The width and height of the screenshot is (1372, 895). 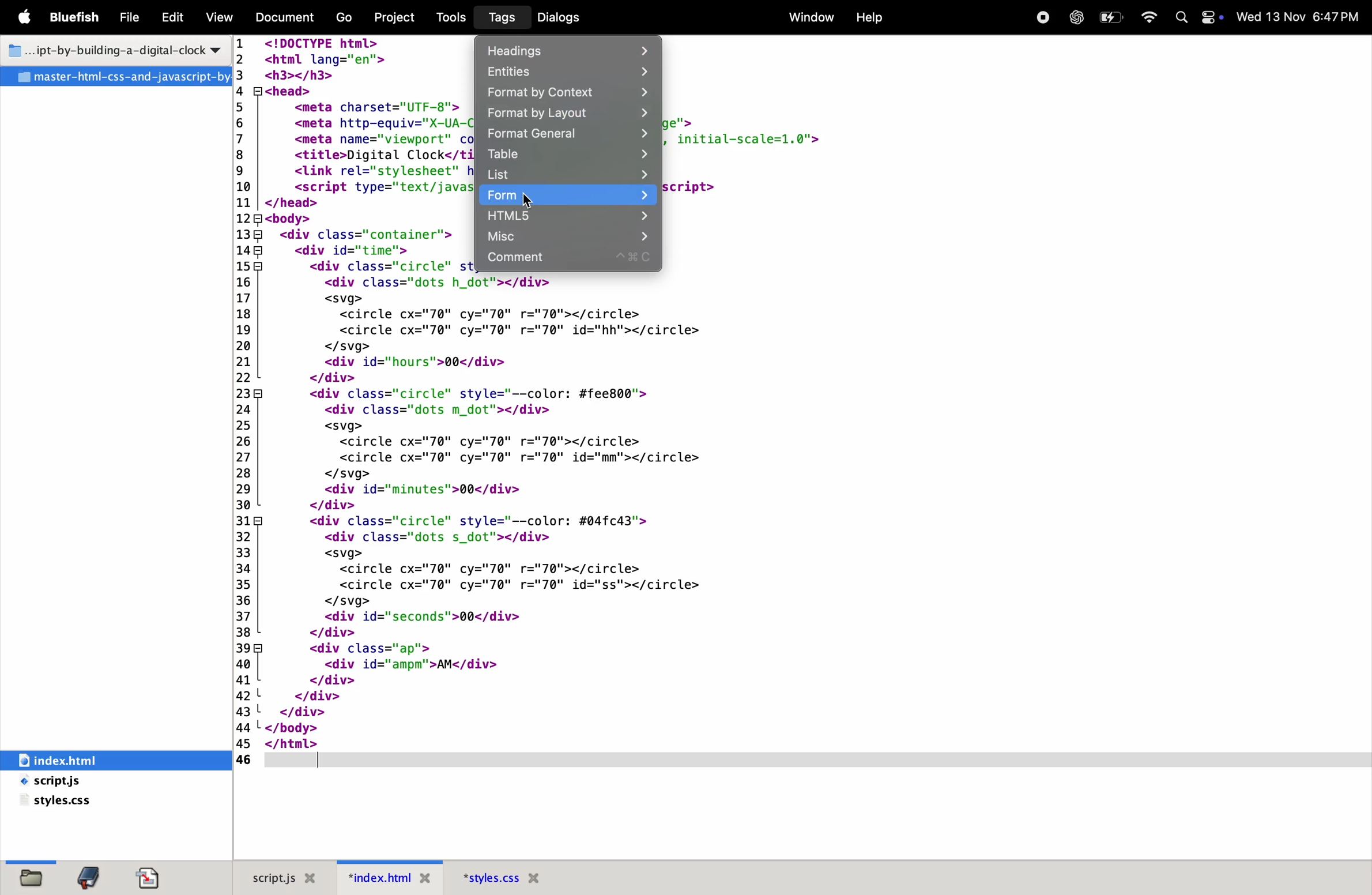 What do you see at coordinates (571, 94) in the screenshot?
I see `format by context` at bounding box center [571, 94].